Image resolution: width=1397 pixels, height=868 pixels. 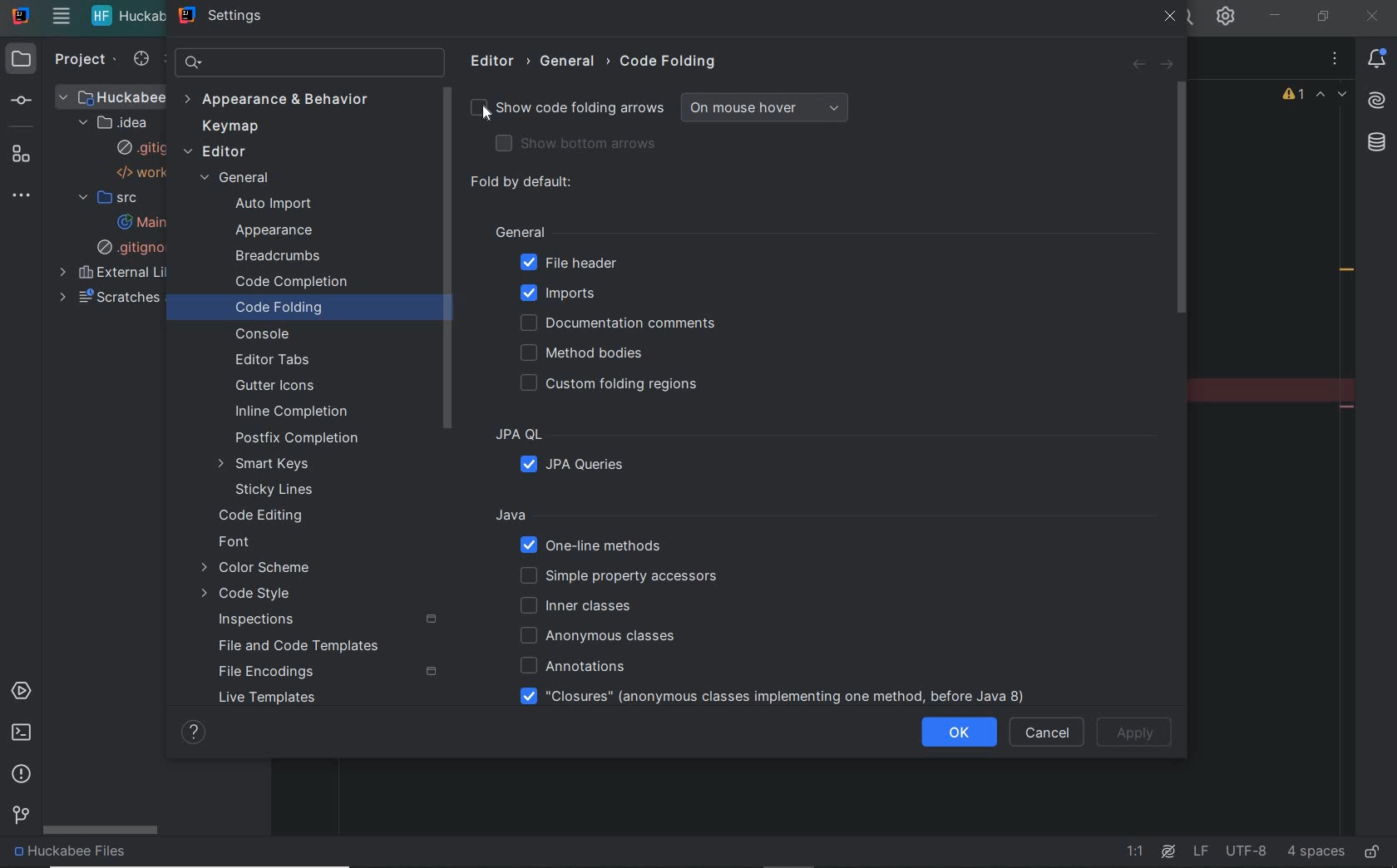 I want to click on main, so click(x=151, y=220).